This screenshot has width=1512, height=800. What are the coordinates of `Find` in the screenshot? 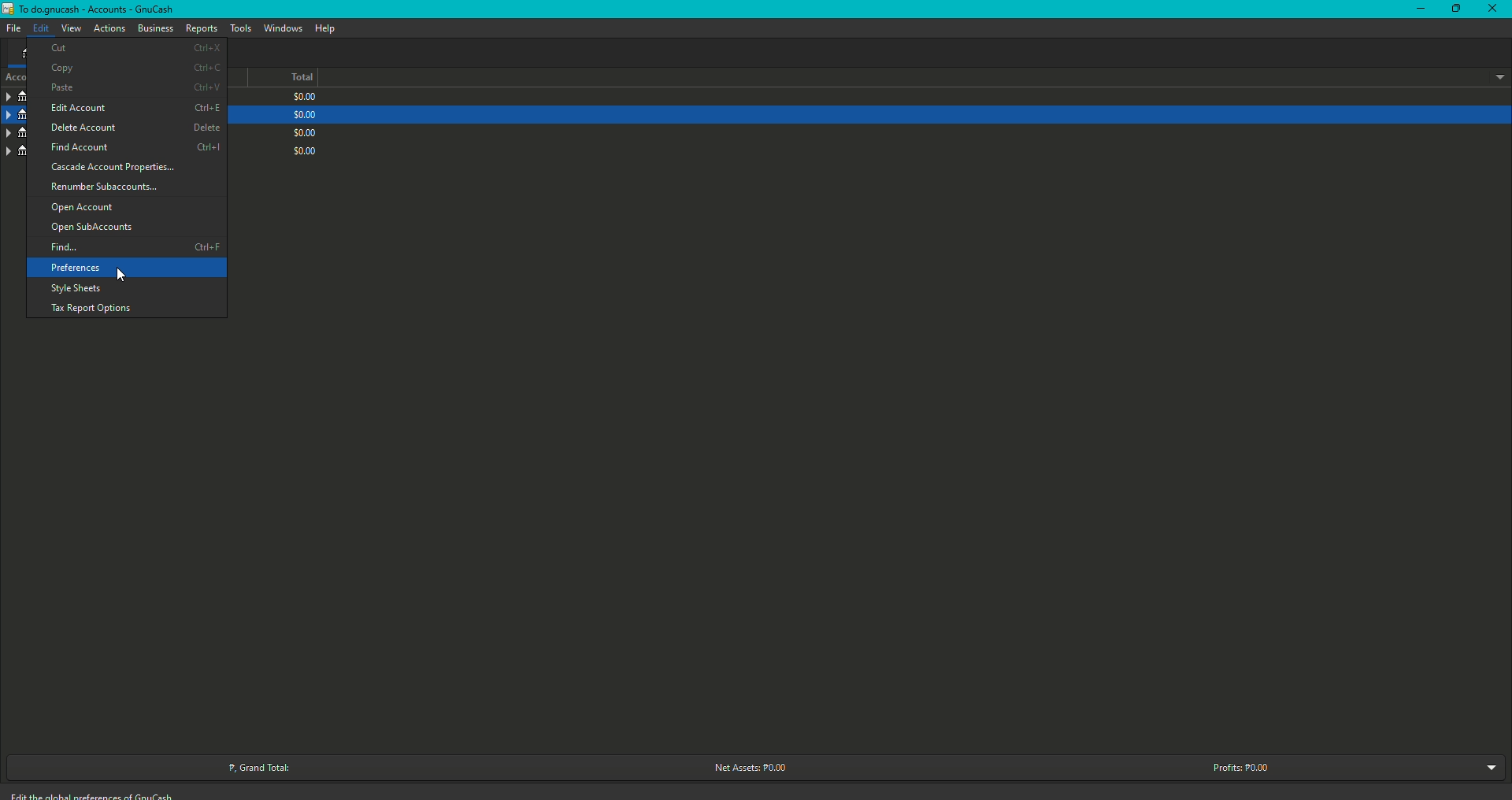 It's located at (133, 248).